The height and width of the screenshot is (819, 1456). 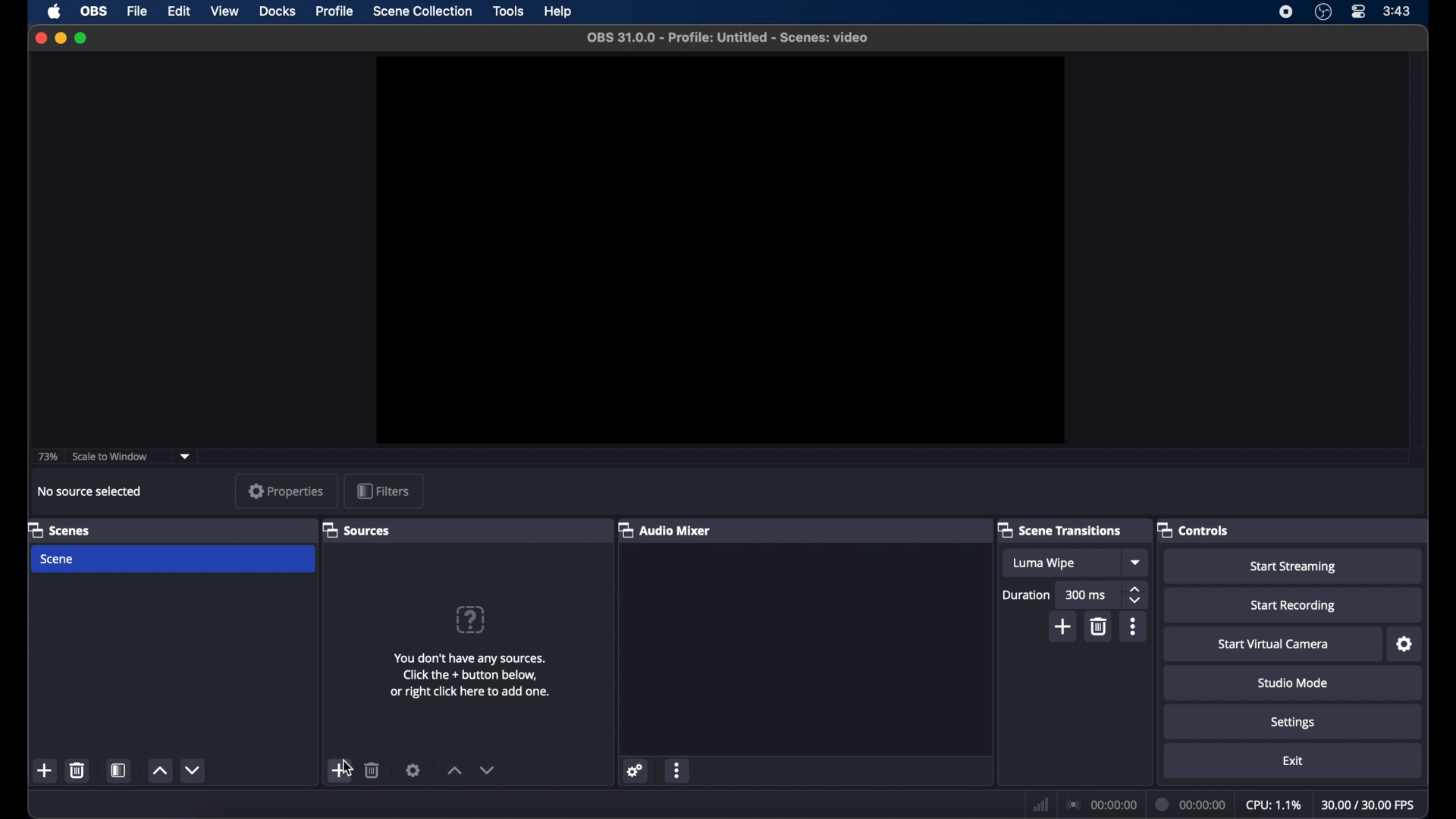 What do you see at coordinates (138, 11) in the screenshot?
I see `file` at bounding box center [138, 11].